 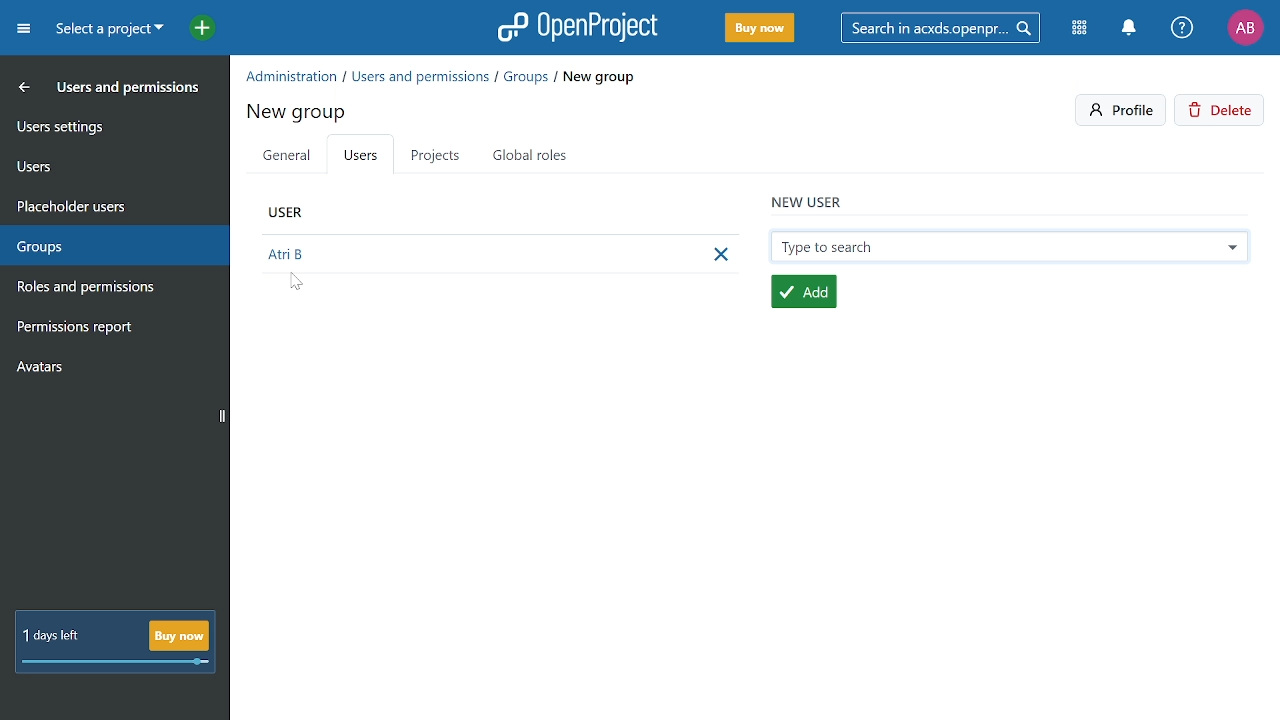 I want to click on Selected user, so click(x=982, y=248).